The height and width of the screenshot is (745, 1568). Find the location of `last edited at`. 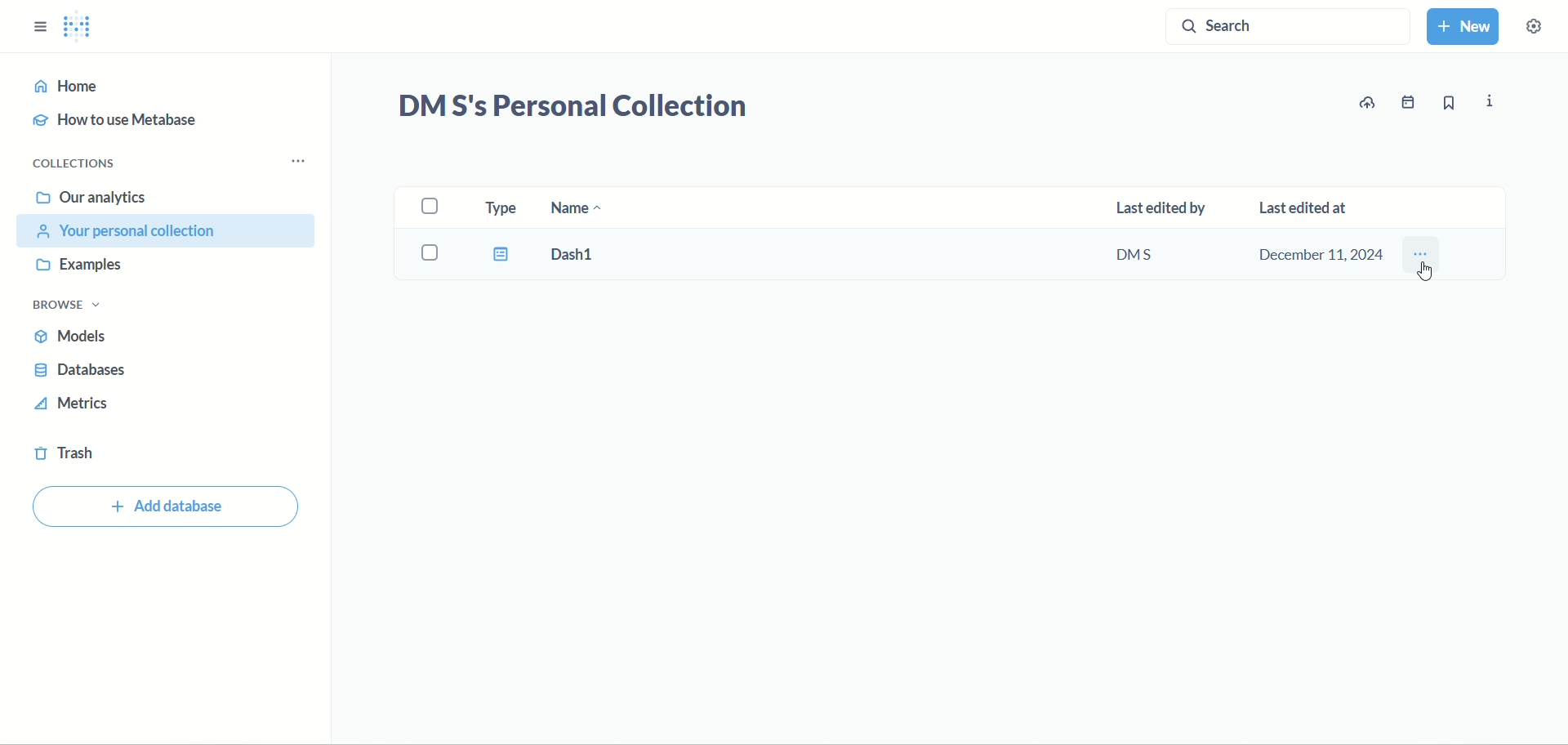

last edited at is located at coordinates (1312, 203).